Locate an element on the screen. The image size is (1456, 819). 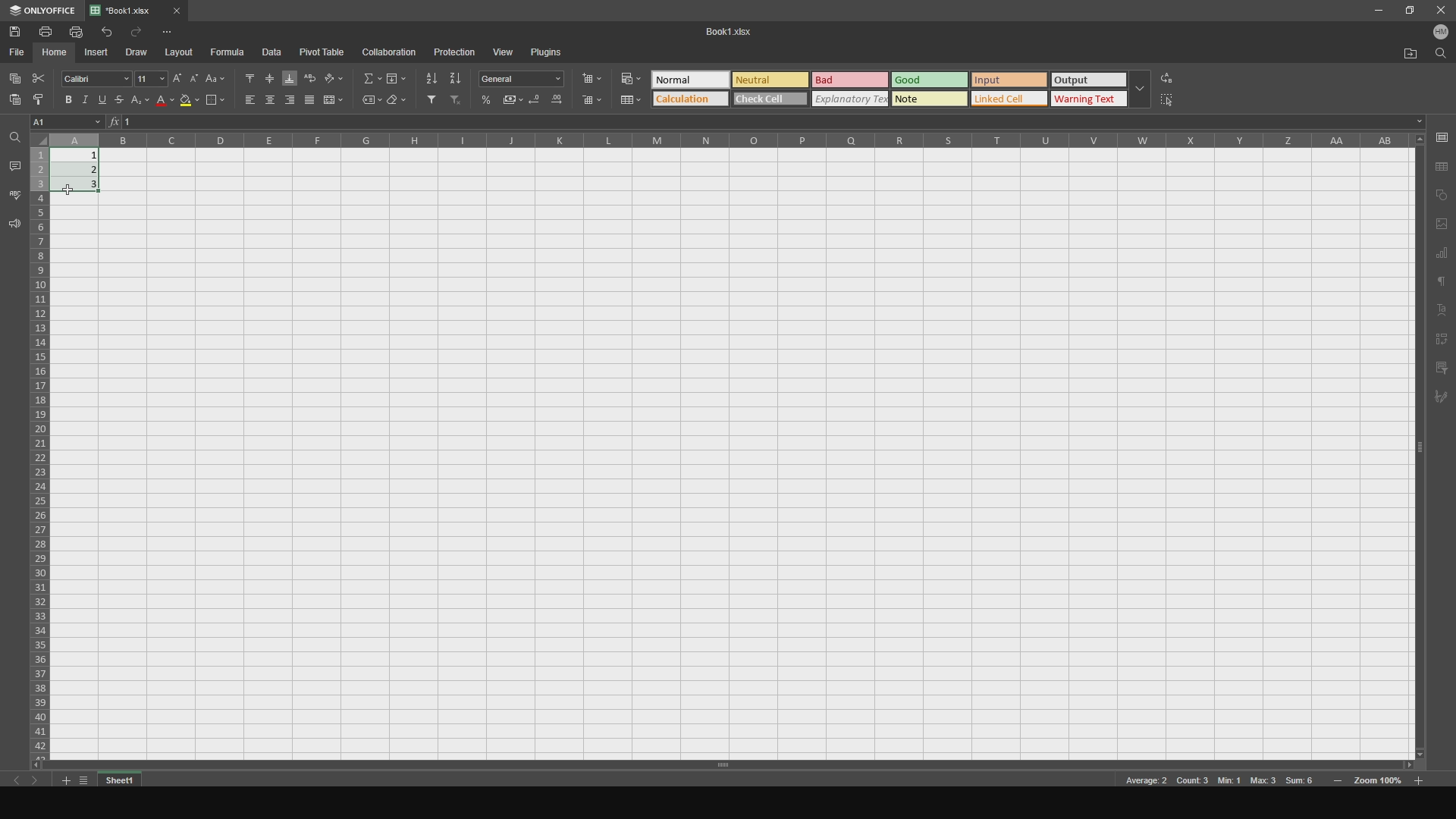
clear is located at coordinates (398, 102).